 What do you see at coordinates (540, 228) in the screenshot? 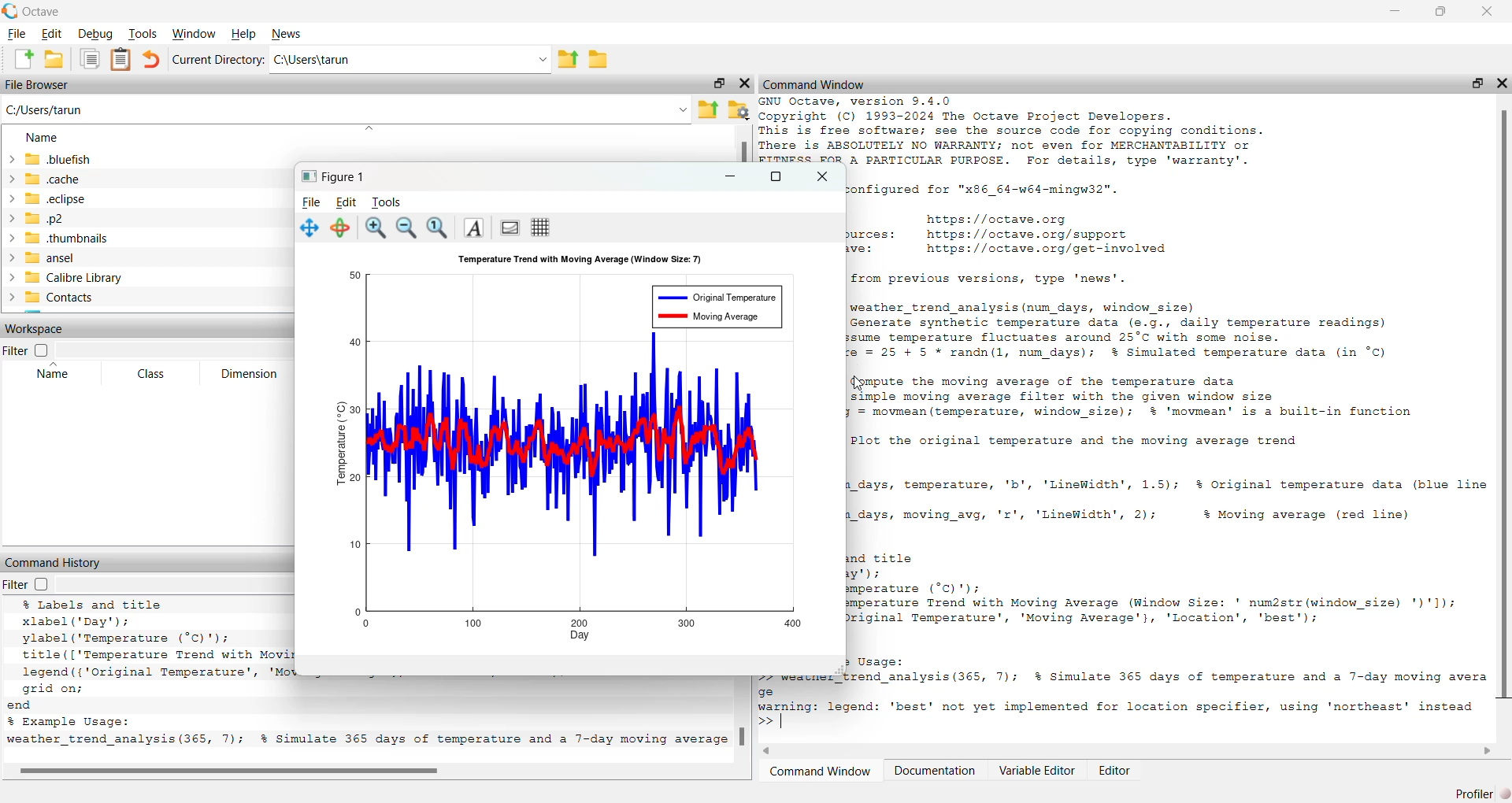
I see `Grid` at bounding box center [540, 228].